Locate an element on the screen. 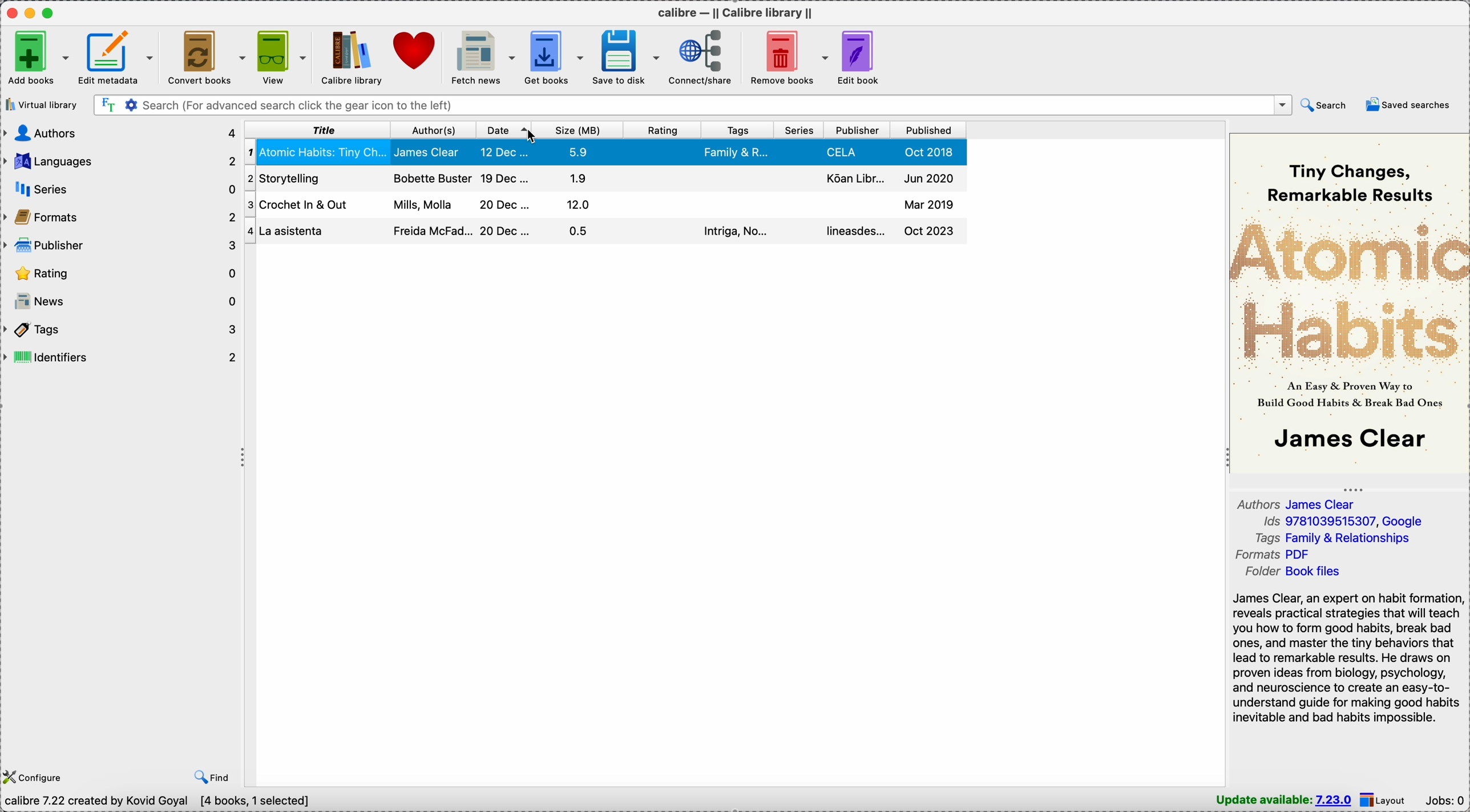 This screenshot has height=812, width=1470. edit metadata is located at coordinates (119, 58).